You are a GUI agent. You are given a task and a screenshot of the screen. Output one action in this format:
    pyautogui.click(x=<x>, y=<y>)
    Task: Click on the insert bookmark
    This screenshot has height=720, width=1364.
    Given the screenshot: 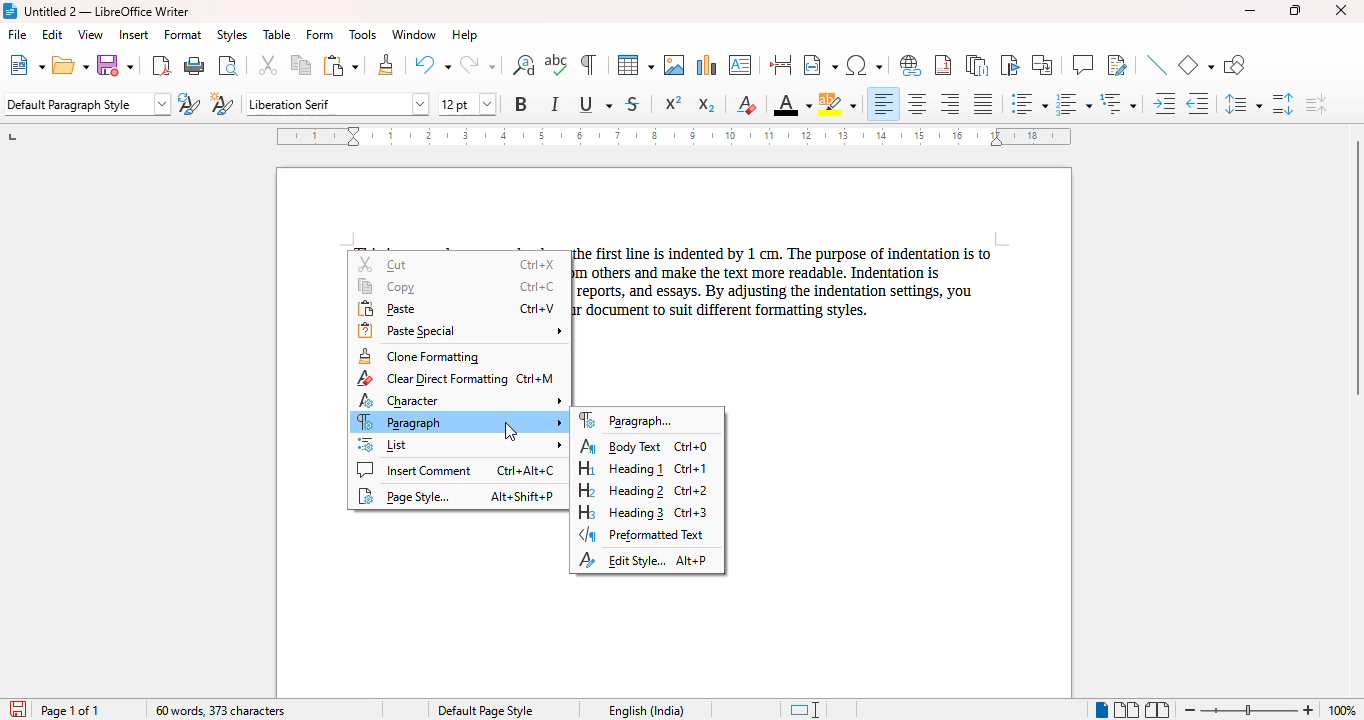 What is the action you would take?
    pyautogui.click(x=1011, y=65)
    